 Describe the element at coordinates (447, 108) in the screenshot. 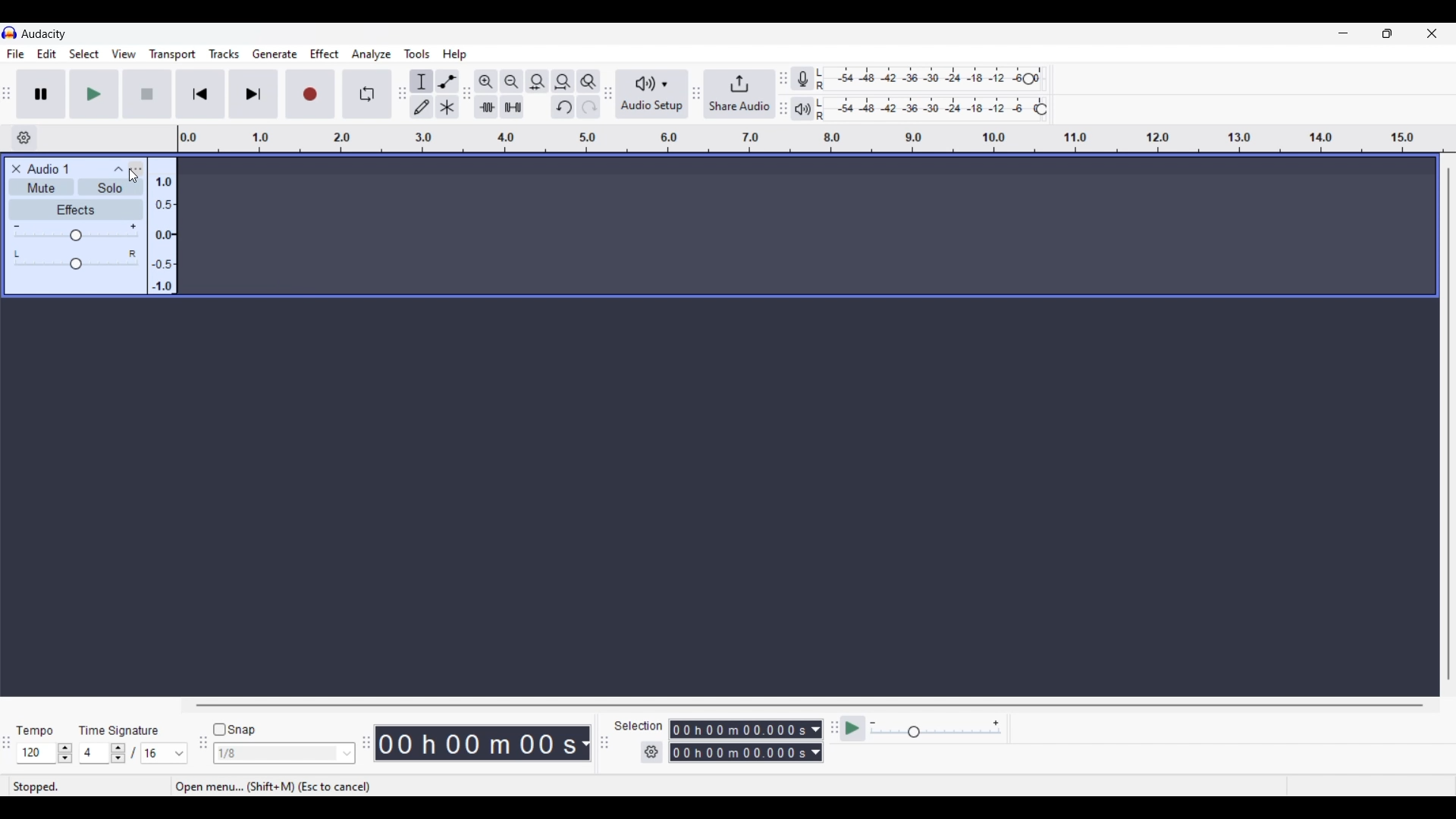

I see `Multitool` at that location.